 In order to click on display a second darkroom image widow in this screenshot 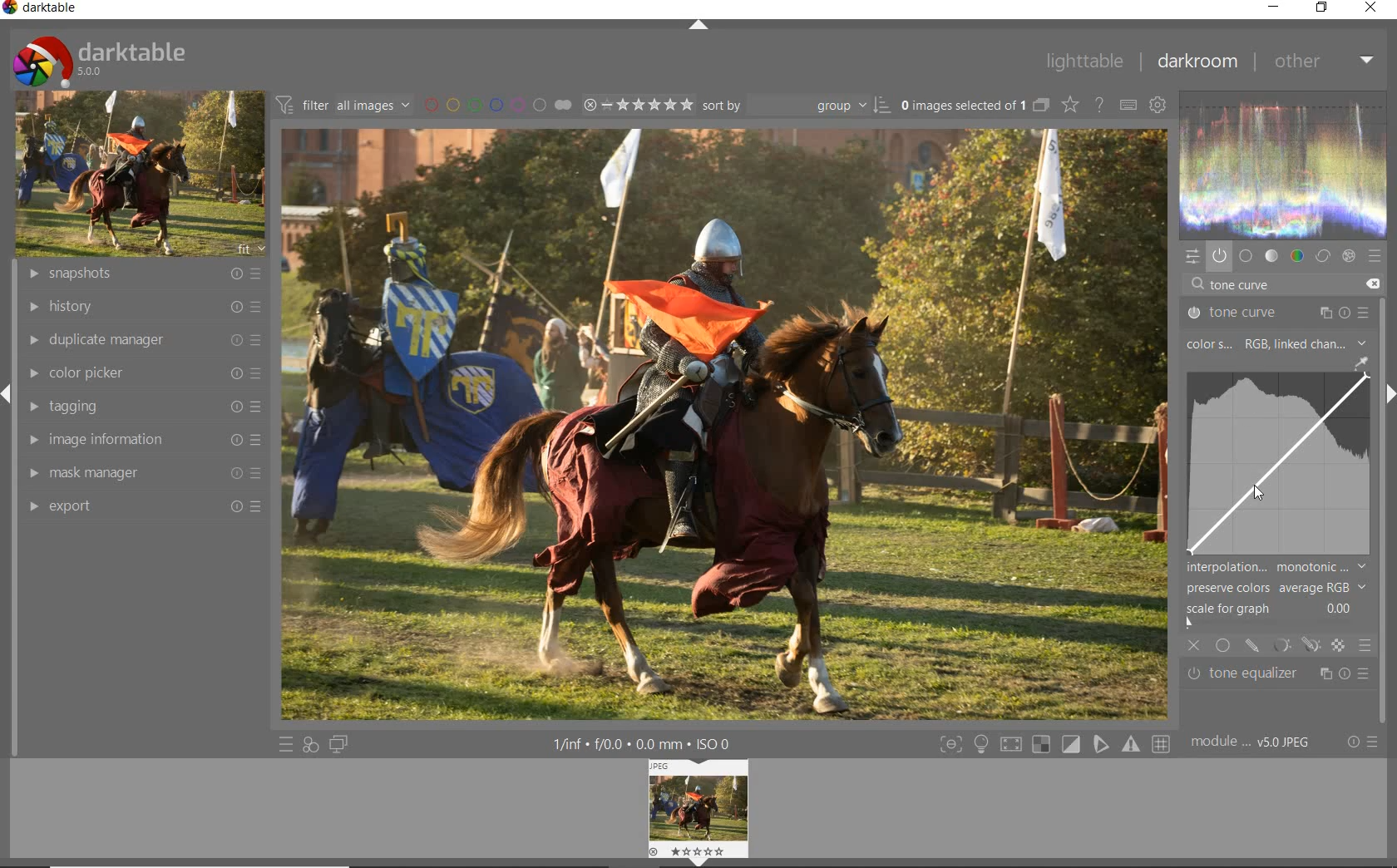, I will do `click(339, 743)`.